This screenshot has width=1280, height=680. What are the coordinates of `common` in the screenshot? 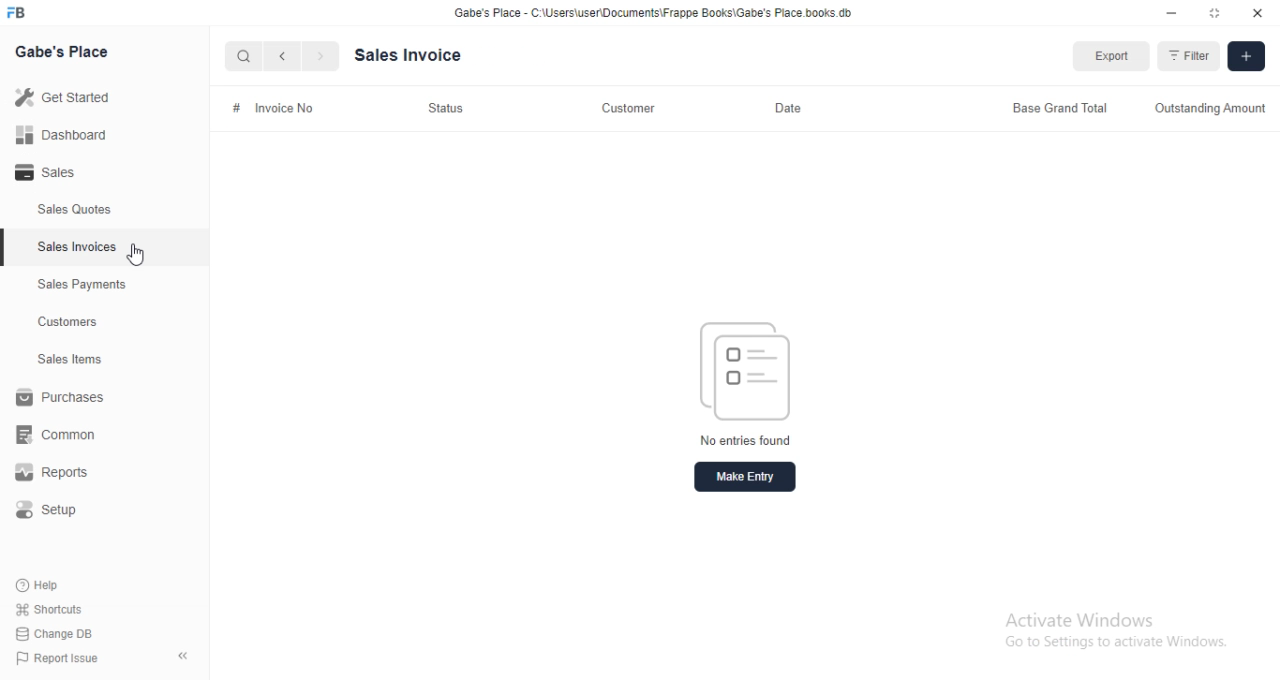 It's located at (57, 436).